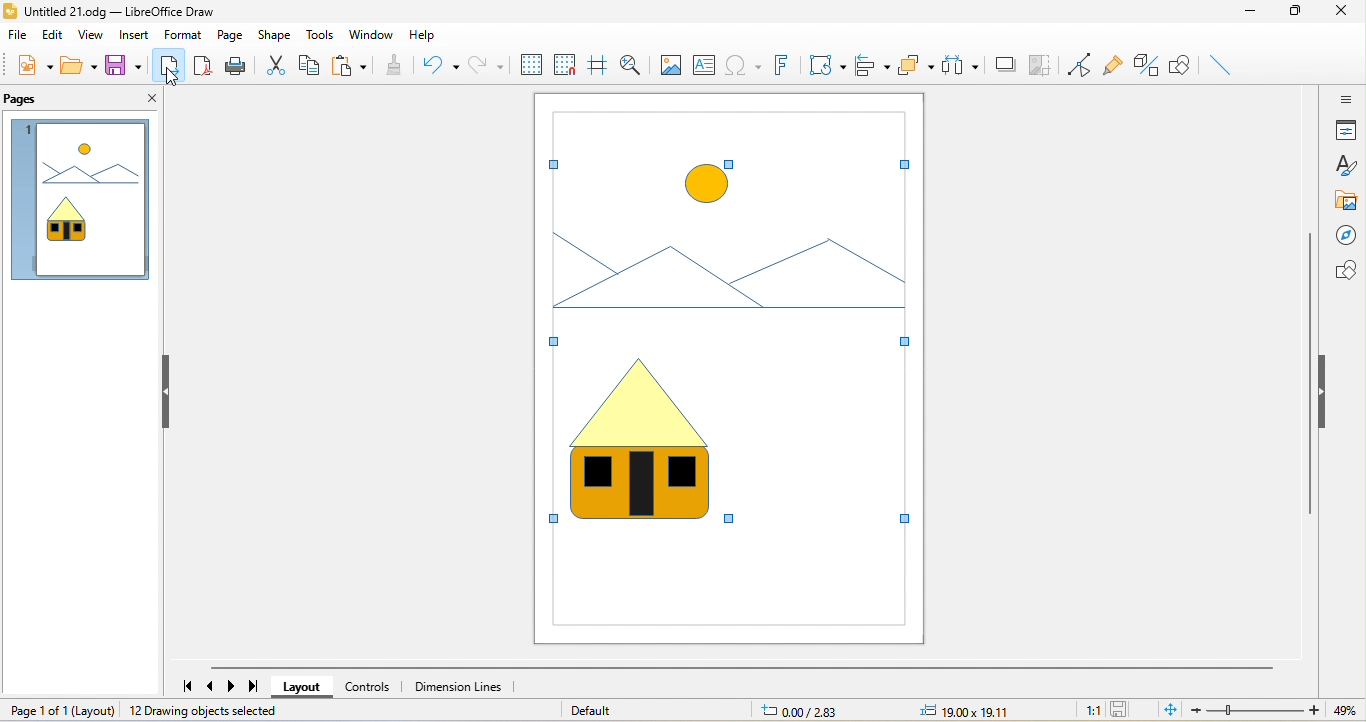 Image resolution: width=1366 pixels, height=722 pixels. I want to click on shadow, so click(1005, 65).